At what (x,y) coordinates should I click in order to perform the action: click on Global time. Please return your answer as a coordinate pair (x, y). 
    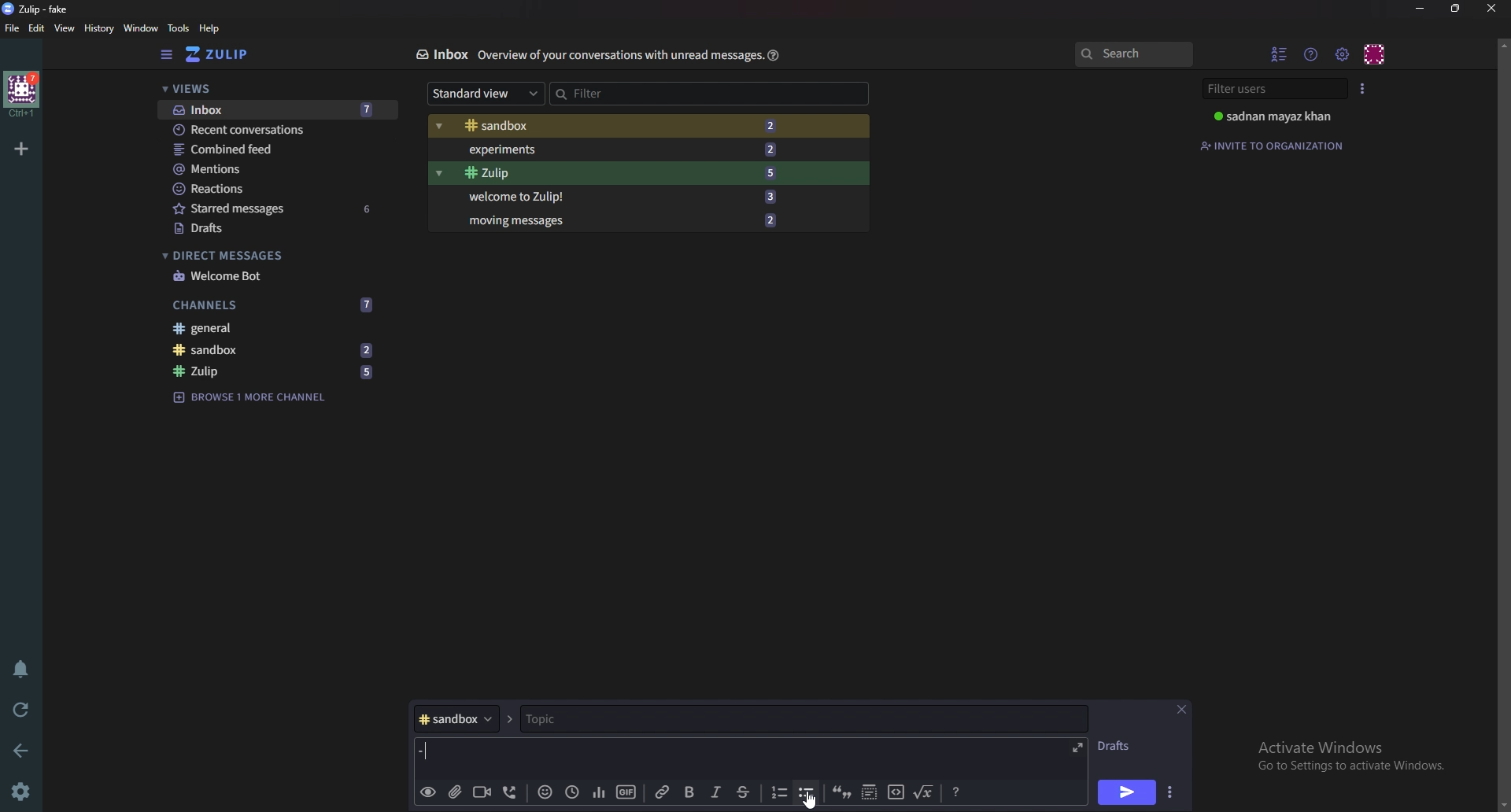
    Looking at the image, I should click on (571, 792).